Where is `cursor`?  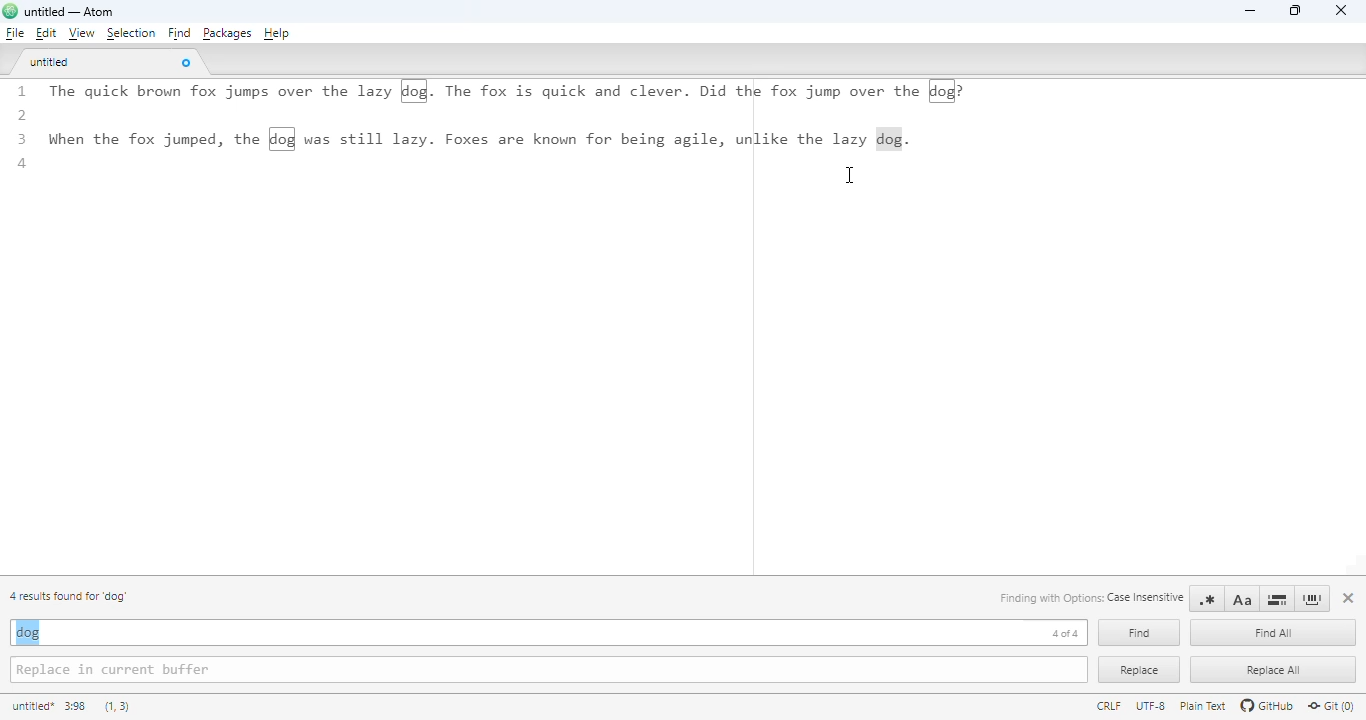
cursor is located at coordinates (850, 176).